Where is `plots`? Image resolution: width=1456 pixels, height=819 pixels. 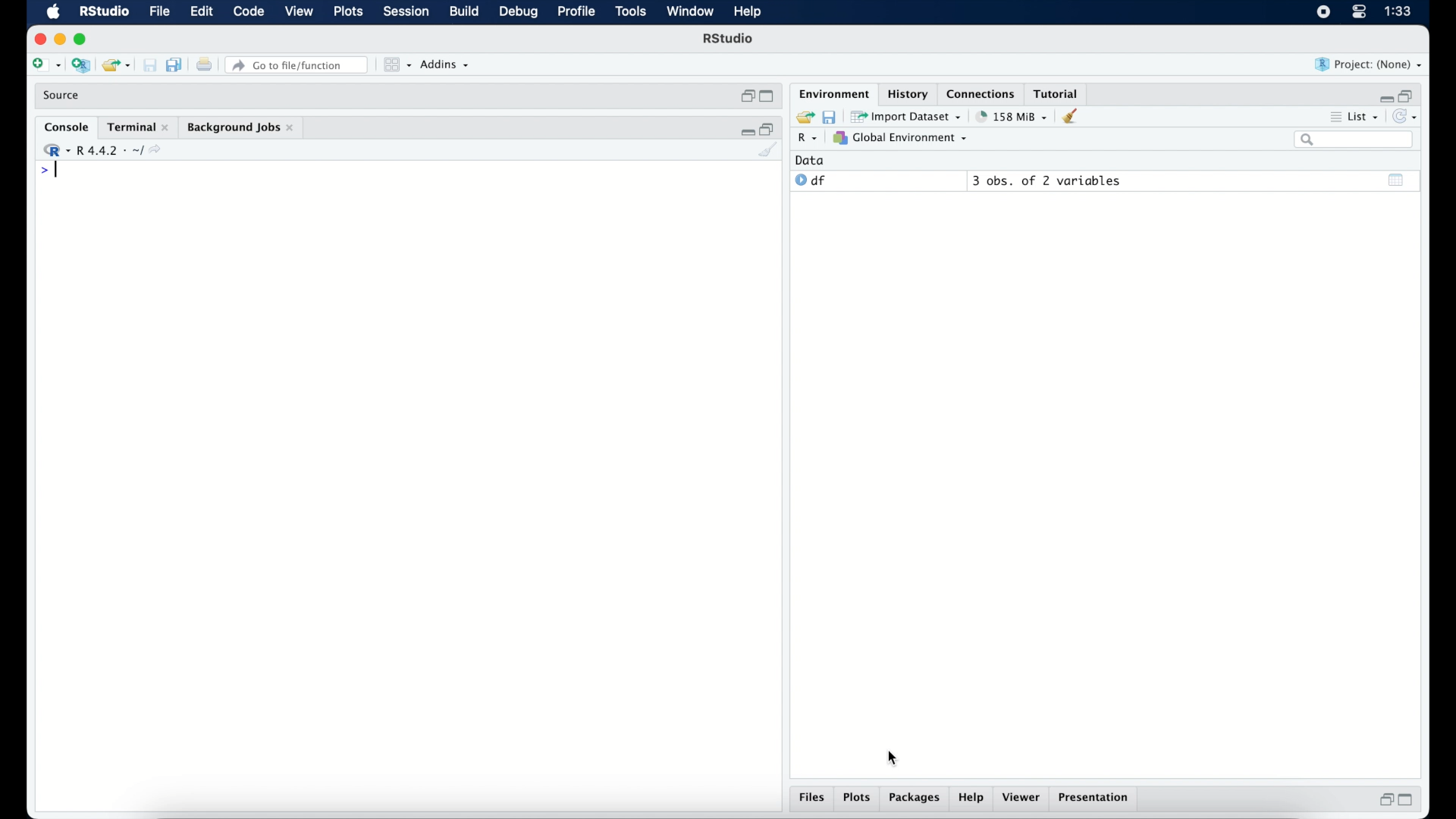 plots is located at coordinates (857, 797).